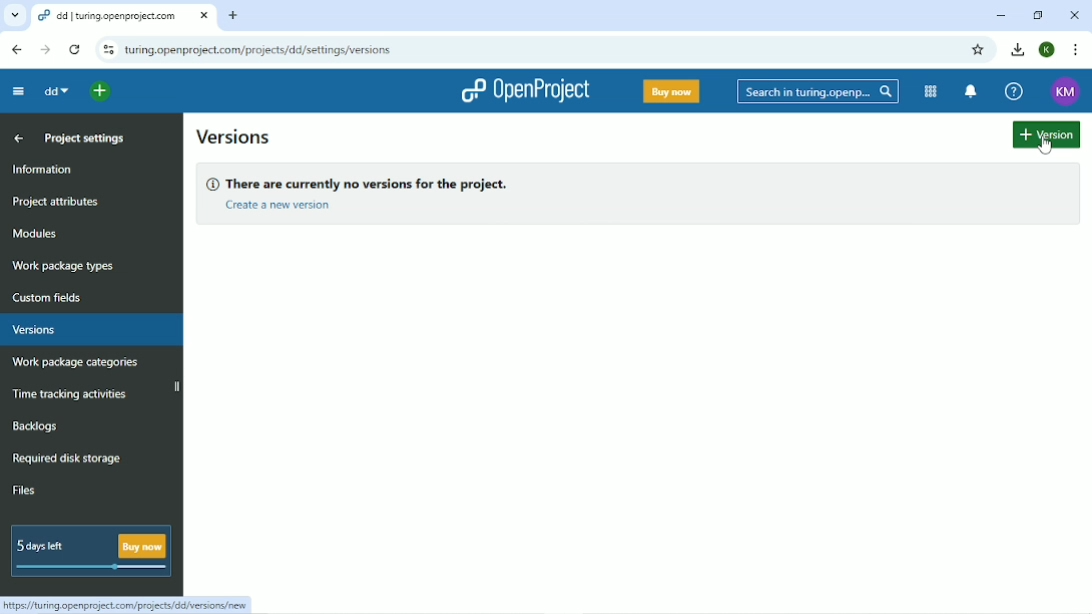  I want to click on Search, so click(819, 92).